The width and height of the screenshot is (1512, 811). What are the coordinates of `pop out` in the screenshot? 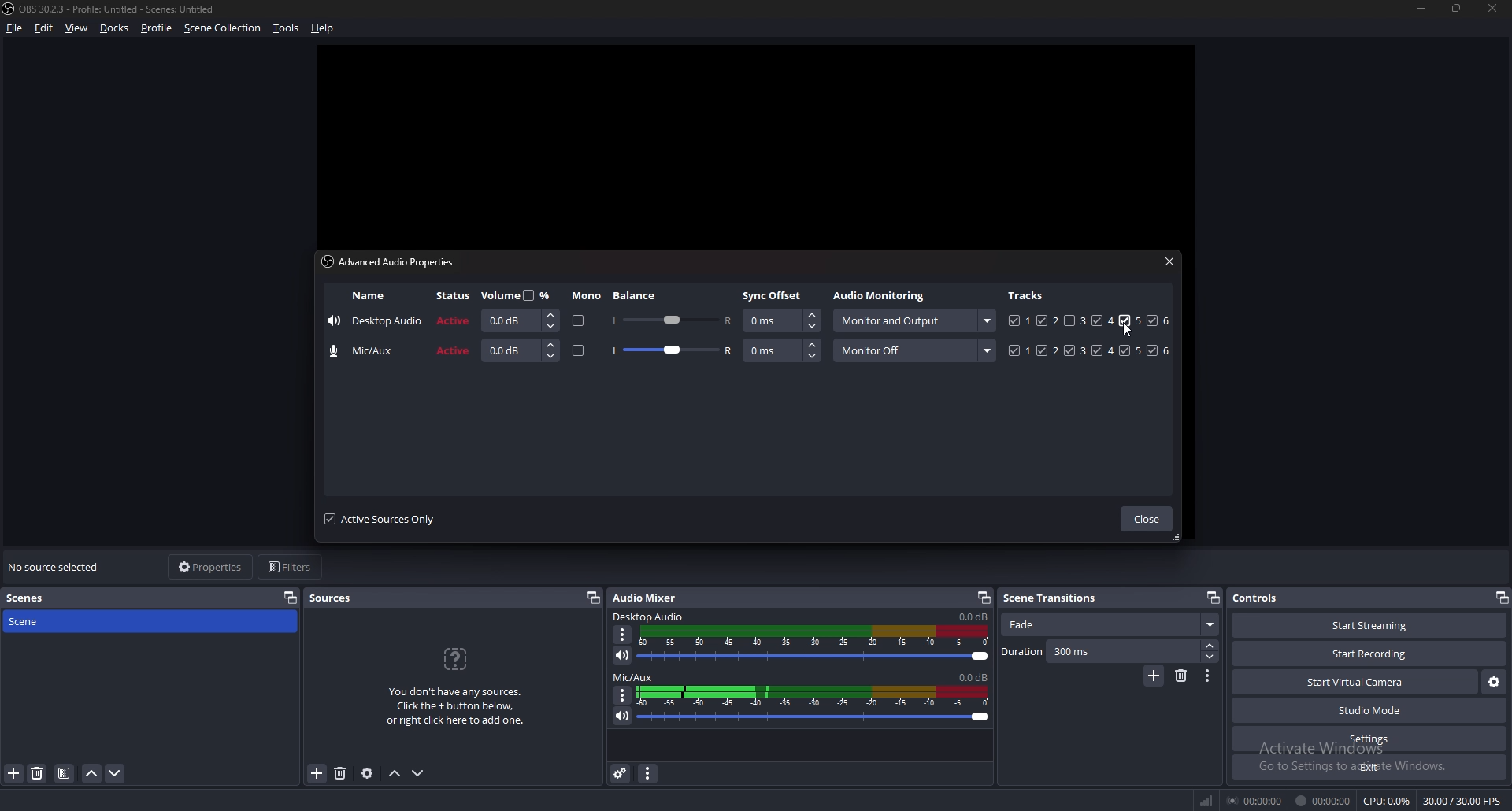 It's located at (291, 598).